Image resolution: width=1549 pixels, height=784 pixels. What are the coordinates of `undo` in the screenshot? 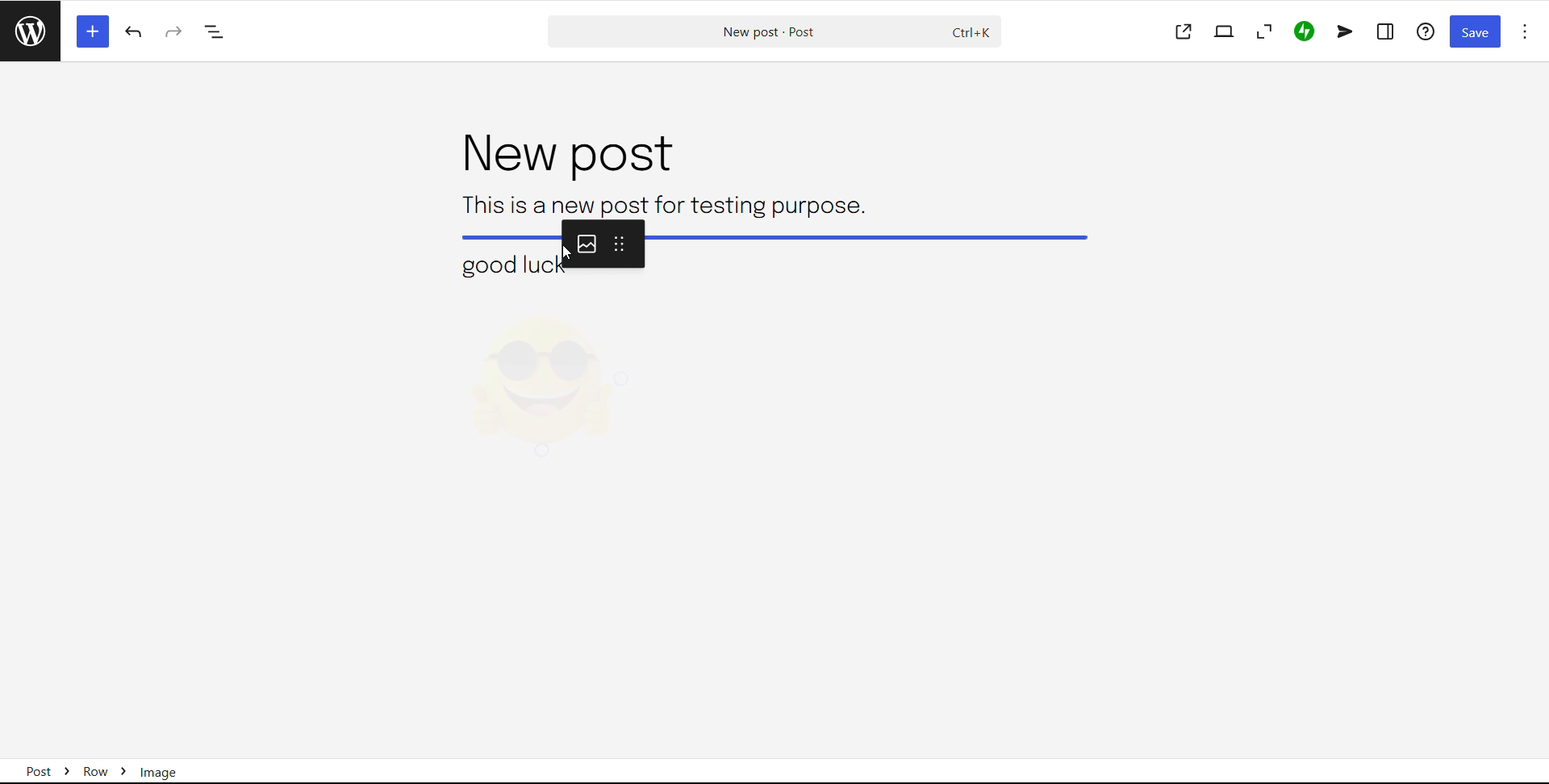 It's located at (136, 32).